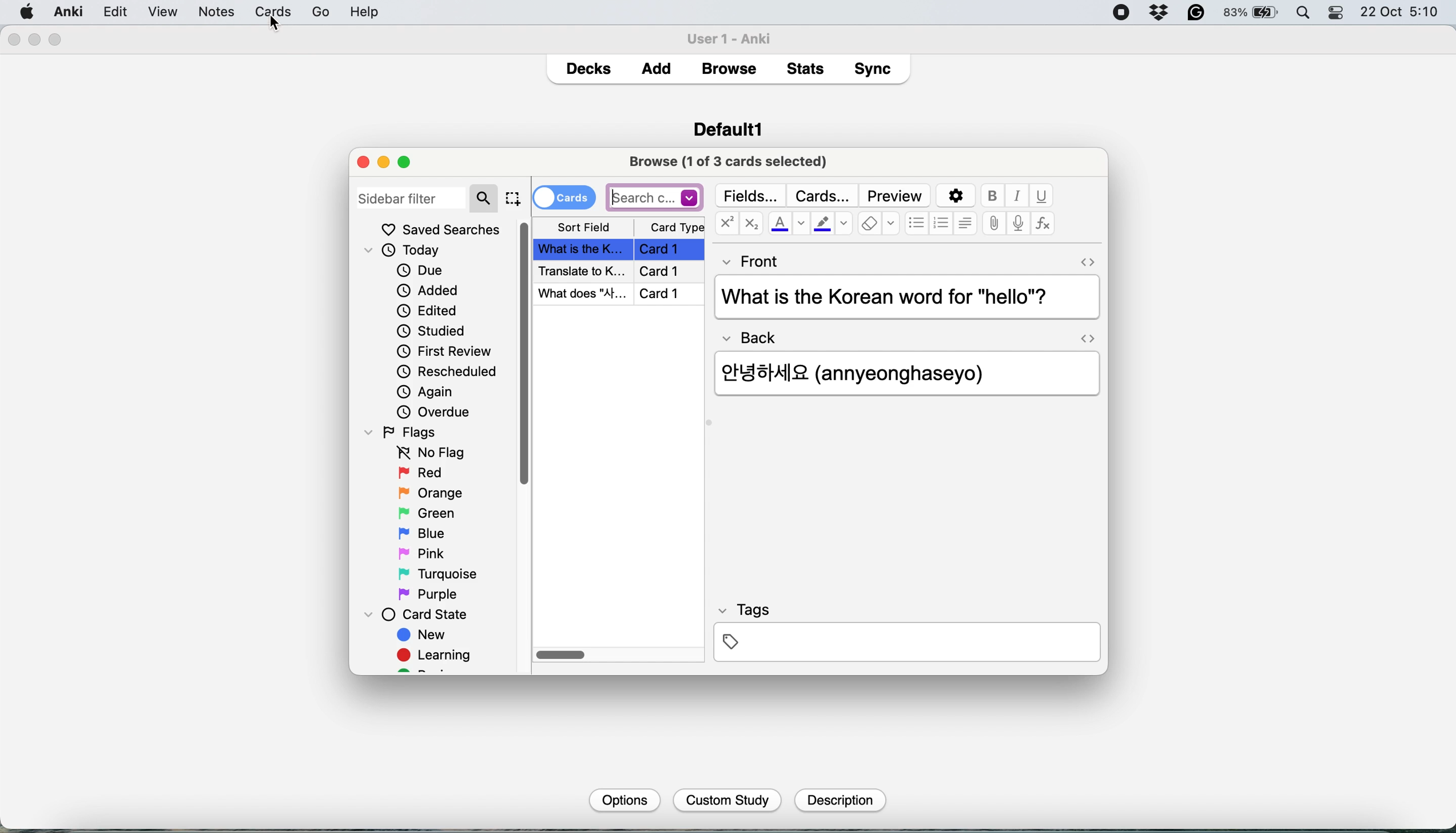 The image size is (1456, 833). Describe the element at coordinates (1041, 196) in the screenshot. I see `underline` at that location.